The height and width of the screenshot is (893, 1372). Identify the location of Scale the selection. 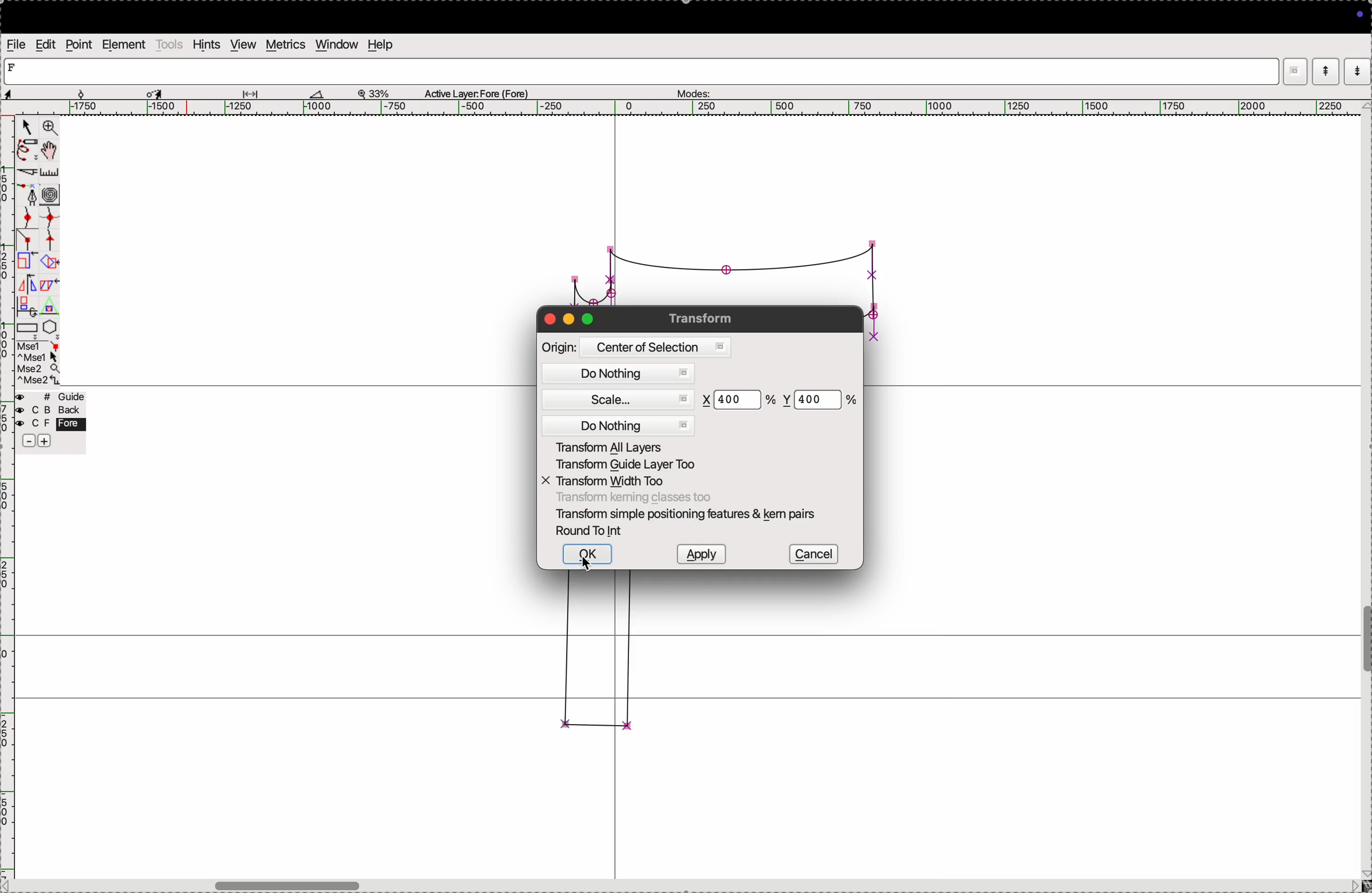
(27, 264).